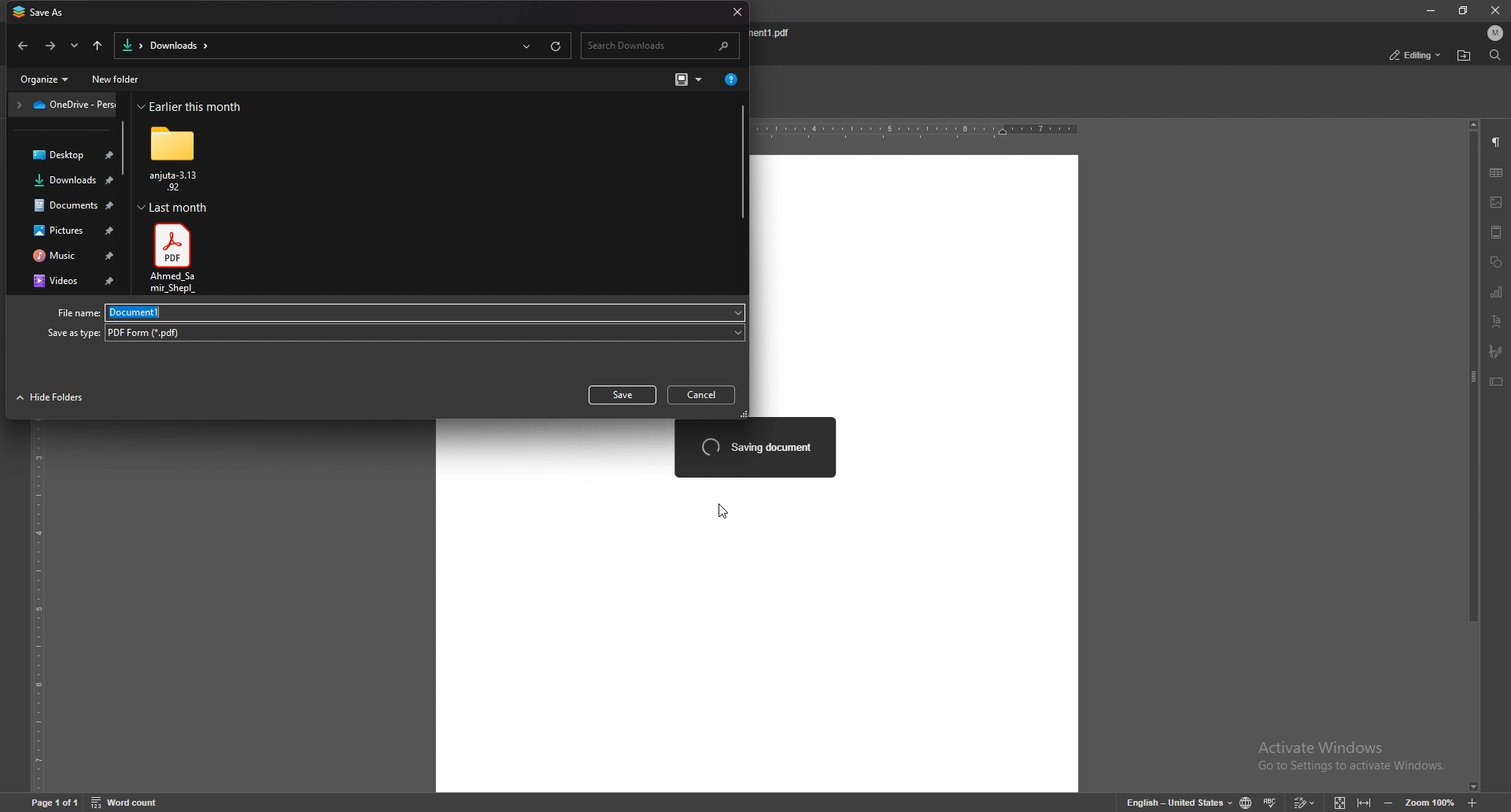 The width and height of the screenshot is (1511, 812). I want to click on change text language, so click(1180, 801).